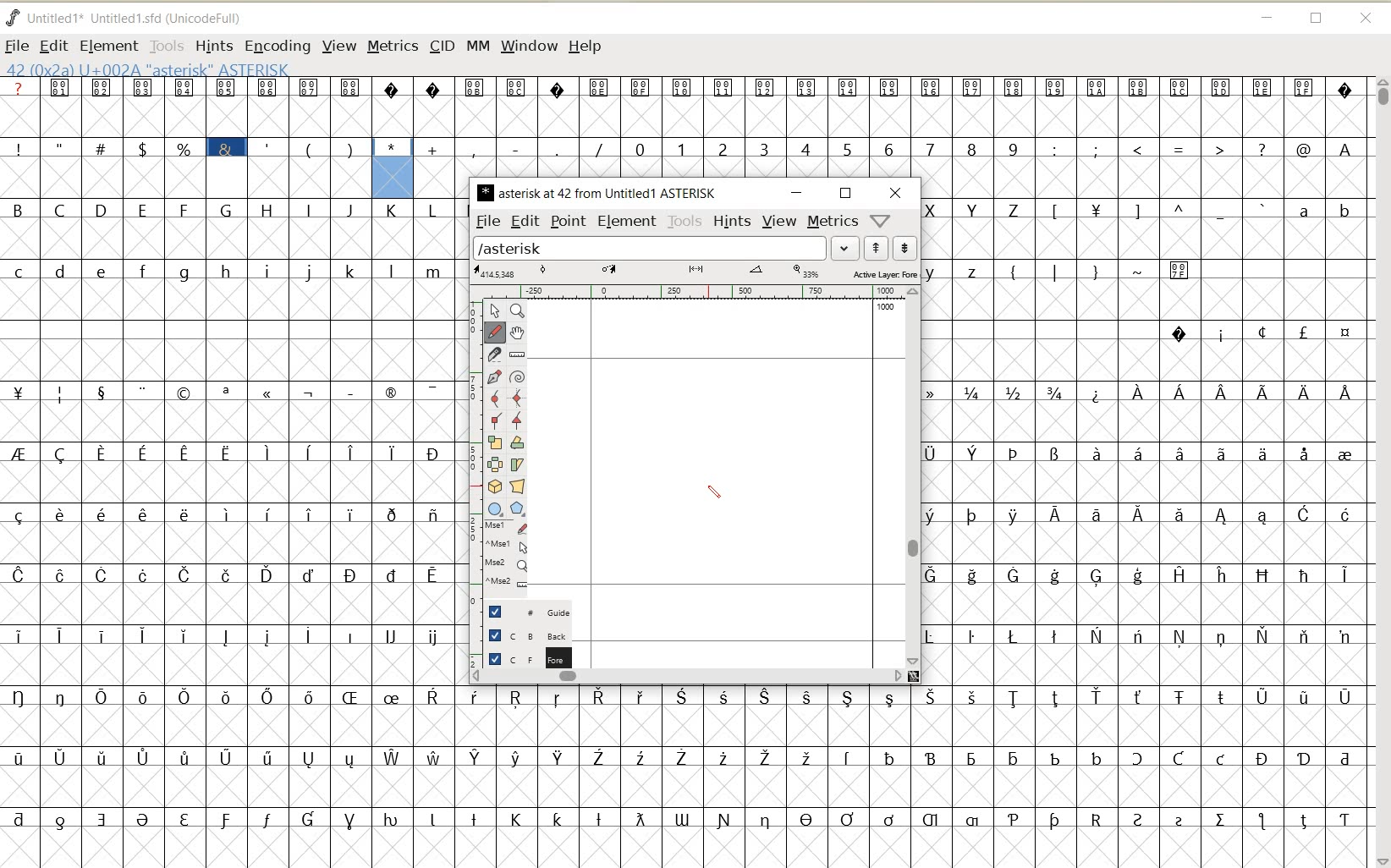 This screenshot has width=1391, height=868. Describe the element at coordinates (518, 334) in the screenshot. I see `scroll by hand` at that location.